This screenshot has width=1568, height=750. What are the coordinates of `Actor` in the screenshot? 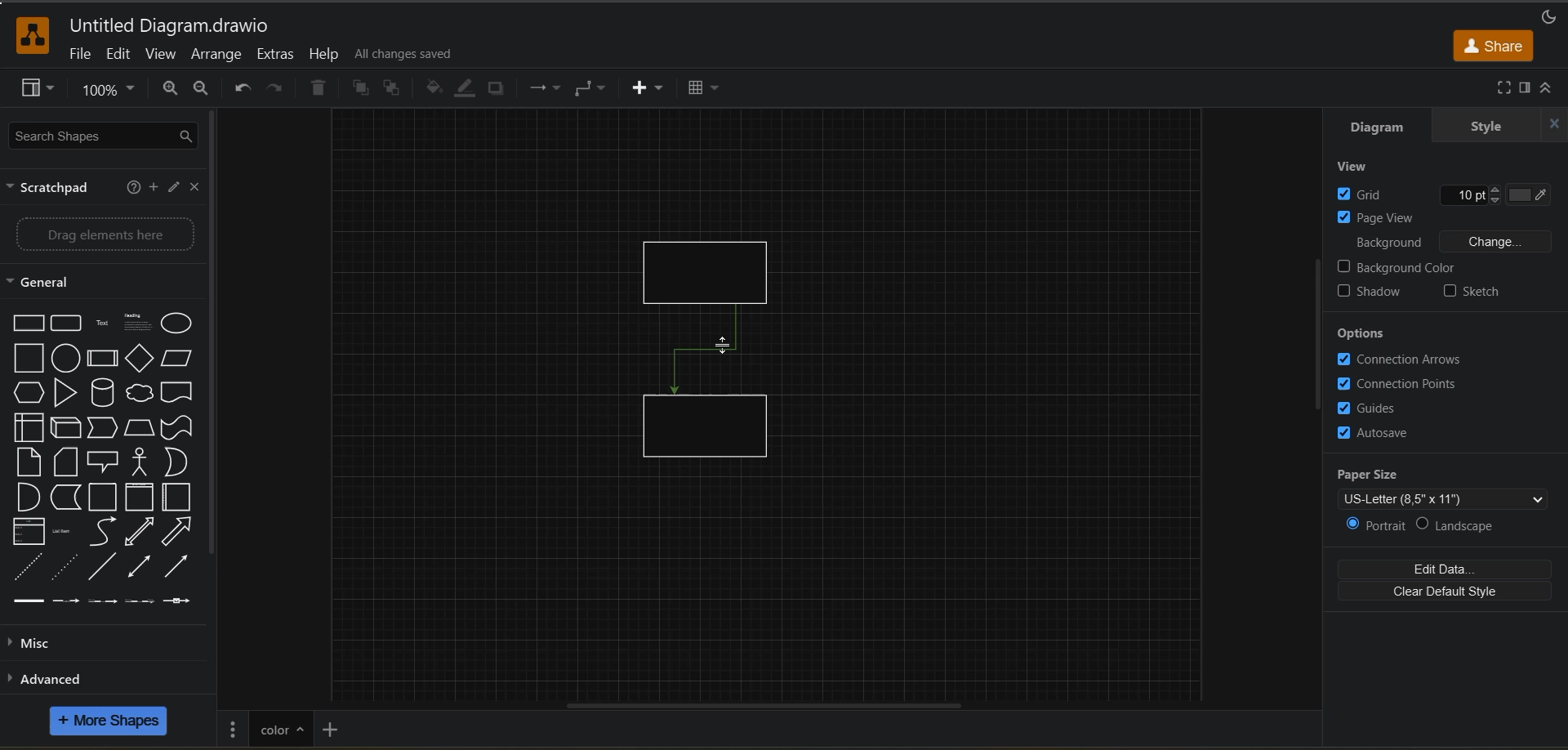 It's located at (144, 462).